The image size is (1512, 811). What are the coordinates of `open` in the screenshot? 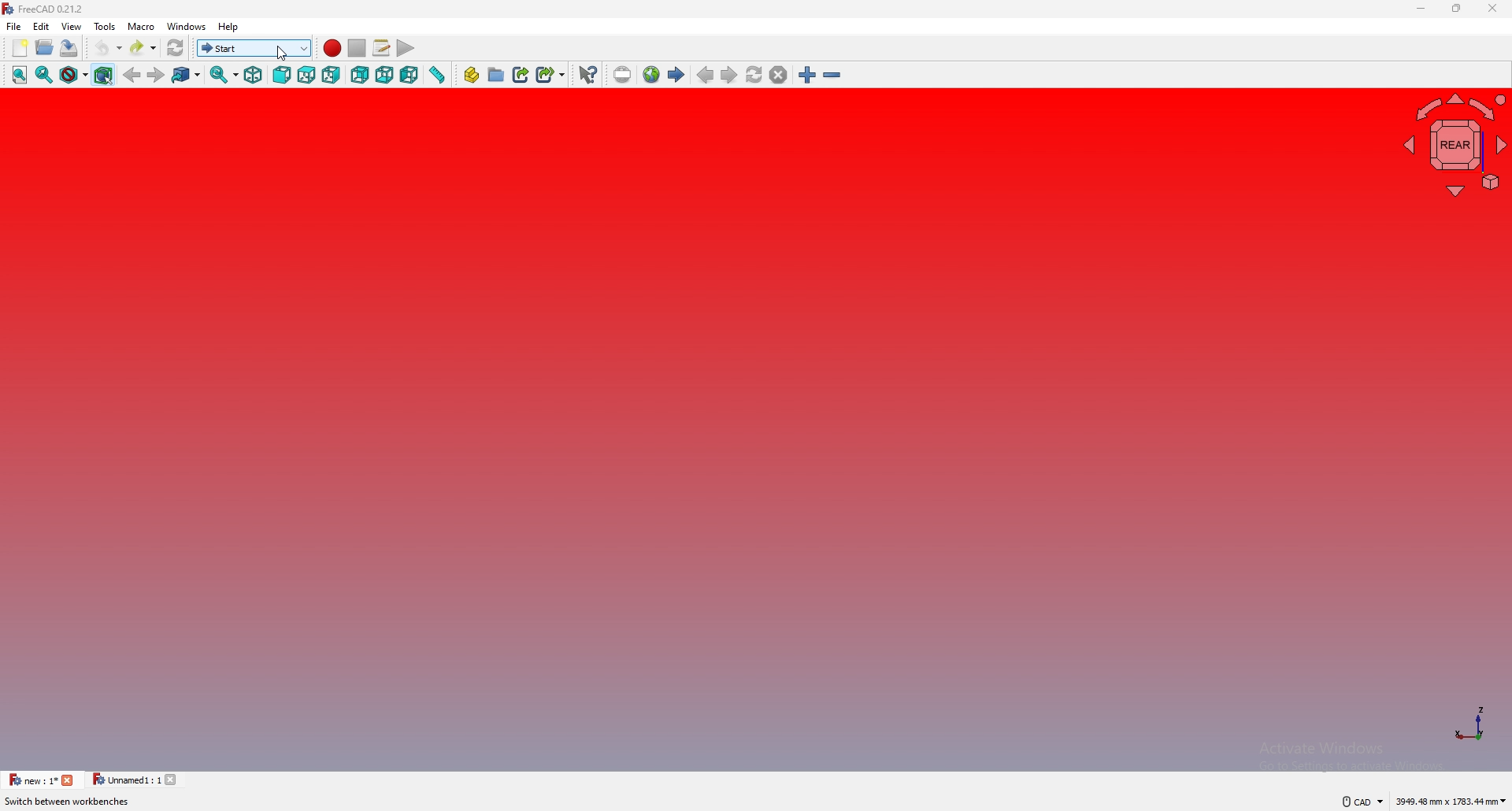 It's located at (45, 47).